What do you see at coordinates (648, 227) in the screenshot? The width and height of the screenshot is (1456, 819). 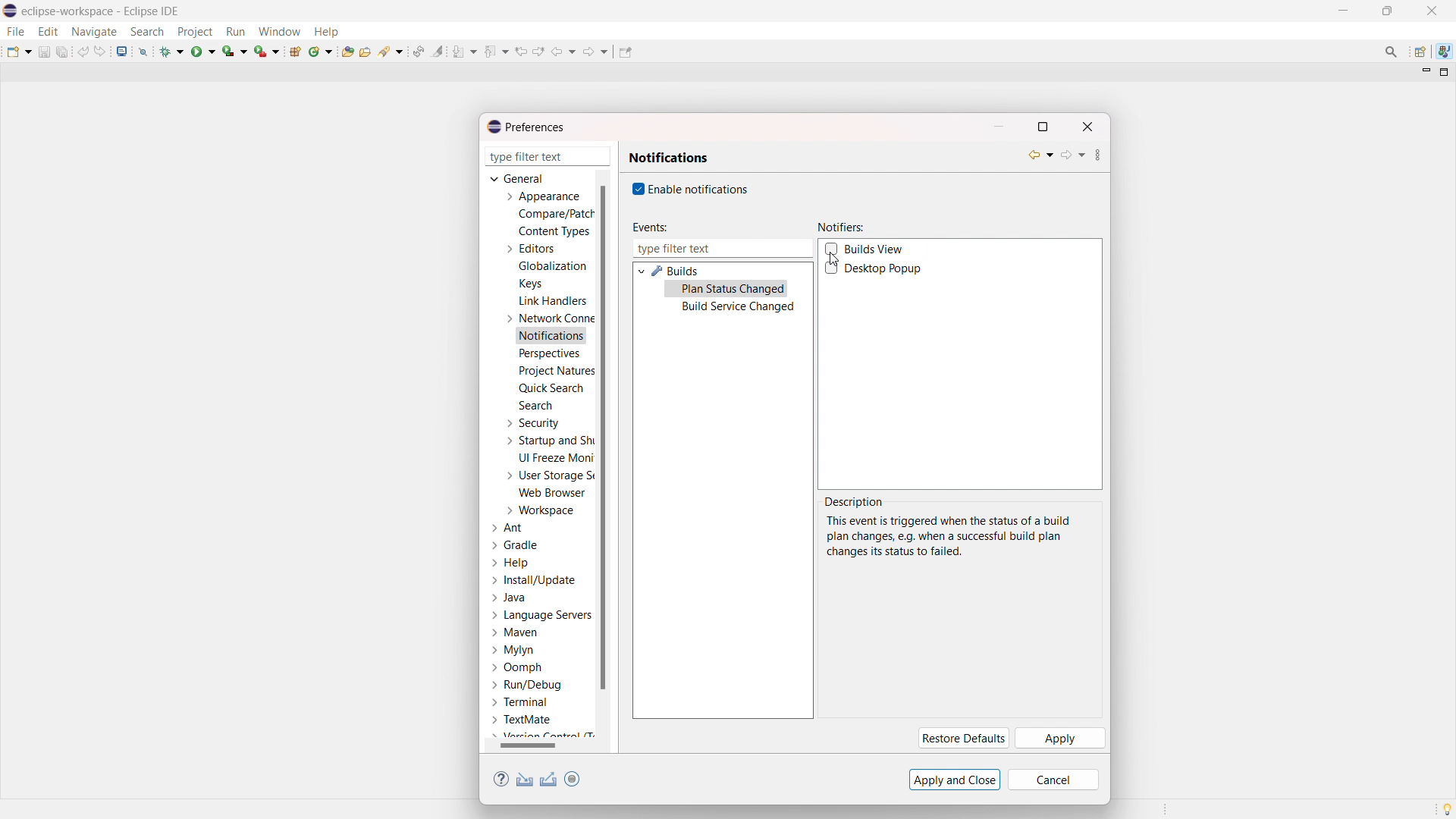 I see `events` at bounding box center [648, 227].